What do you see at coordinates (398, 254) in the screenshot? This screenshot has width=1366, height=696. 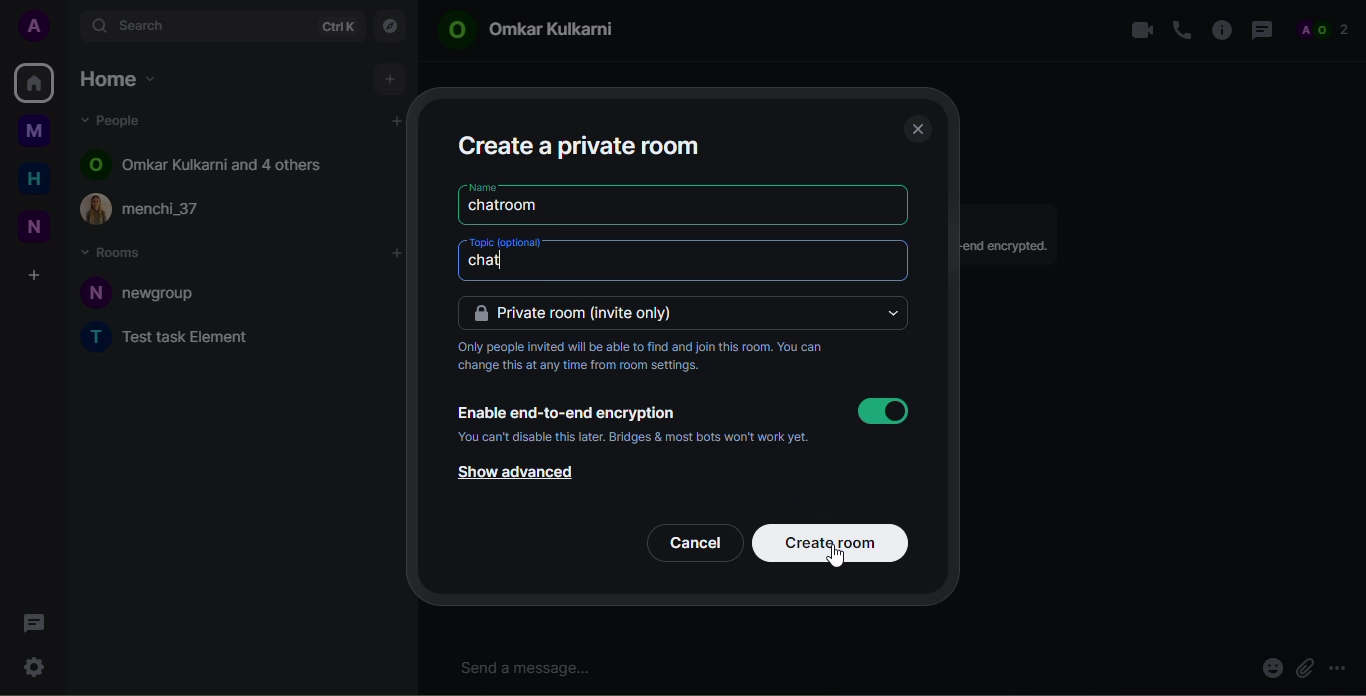 I see `add` at bounding box center [398, 254].